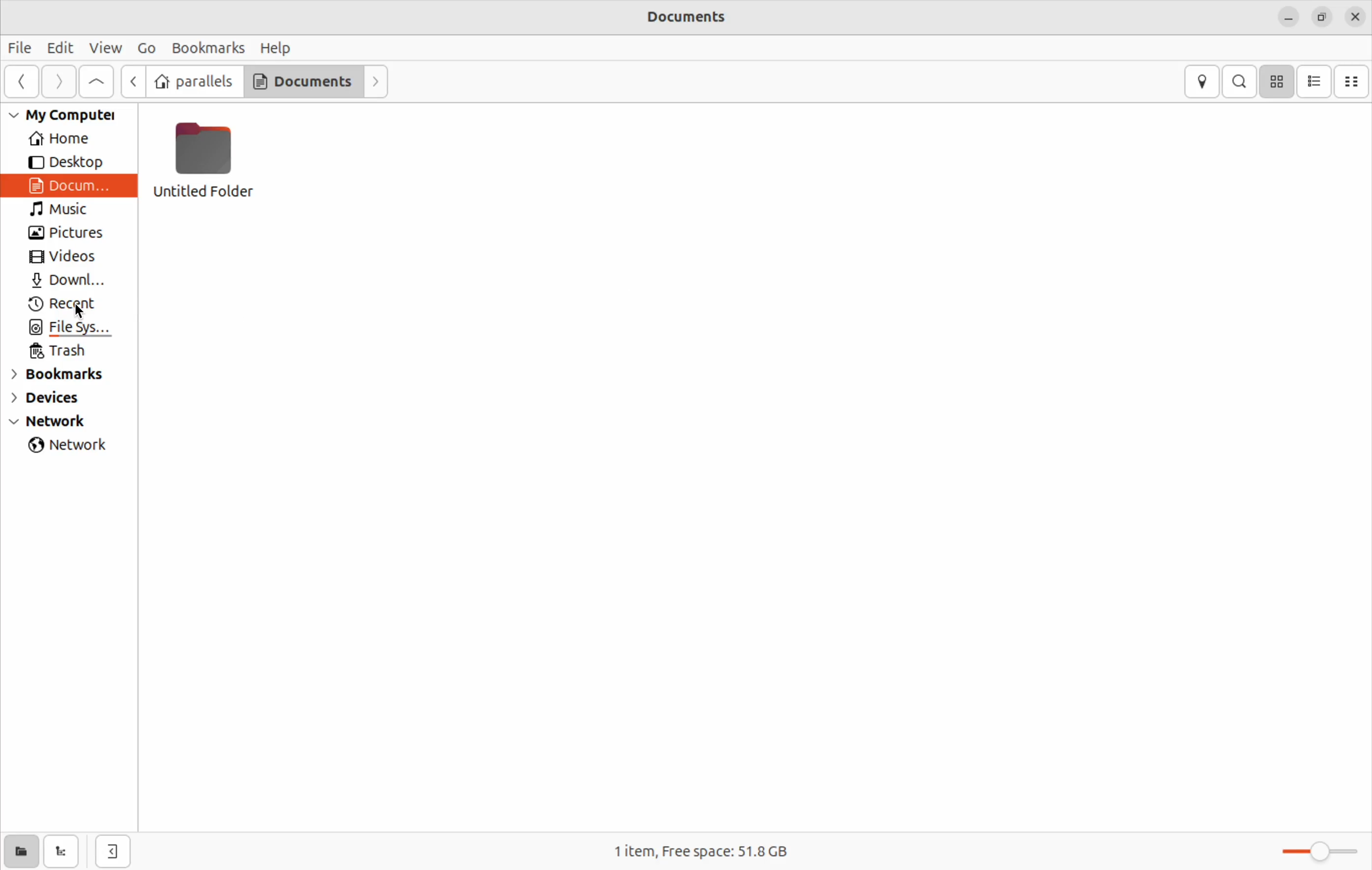 This screenshot has width=1372, height=870. What do you see at coordinates (701, 17) in the screenshot?
I see `documents` at bounding box center [701, 17].